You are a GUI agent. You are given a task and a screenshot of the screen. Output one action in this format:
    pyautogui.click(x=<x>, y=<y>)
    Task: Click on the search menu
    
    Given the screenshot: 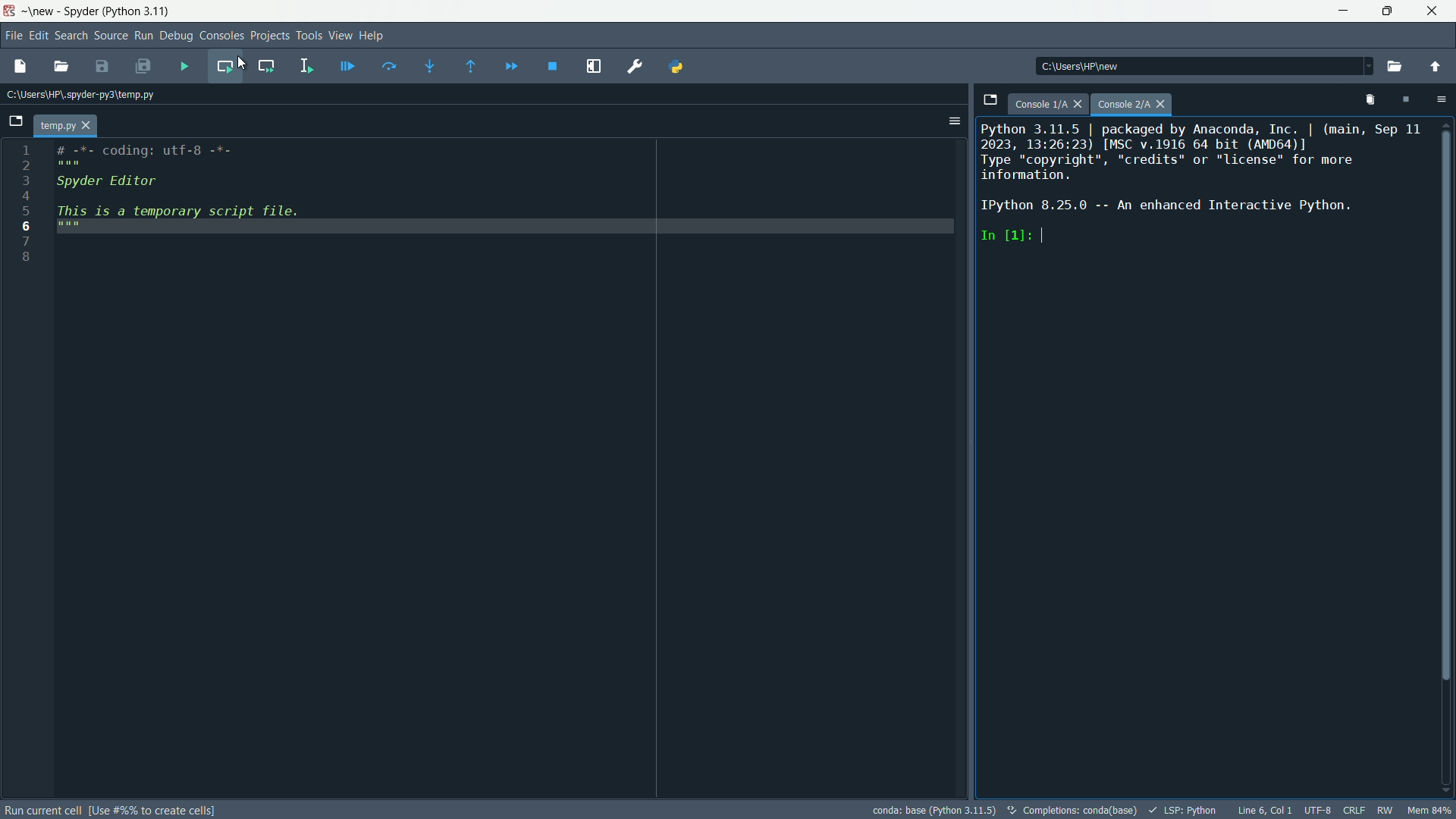 What is the action you would take?
    pyautogui.click(x=72, y=35)
    